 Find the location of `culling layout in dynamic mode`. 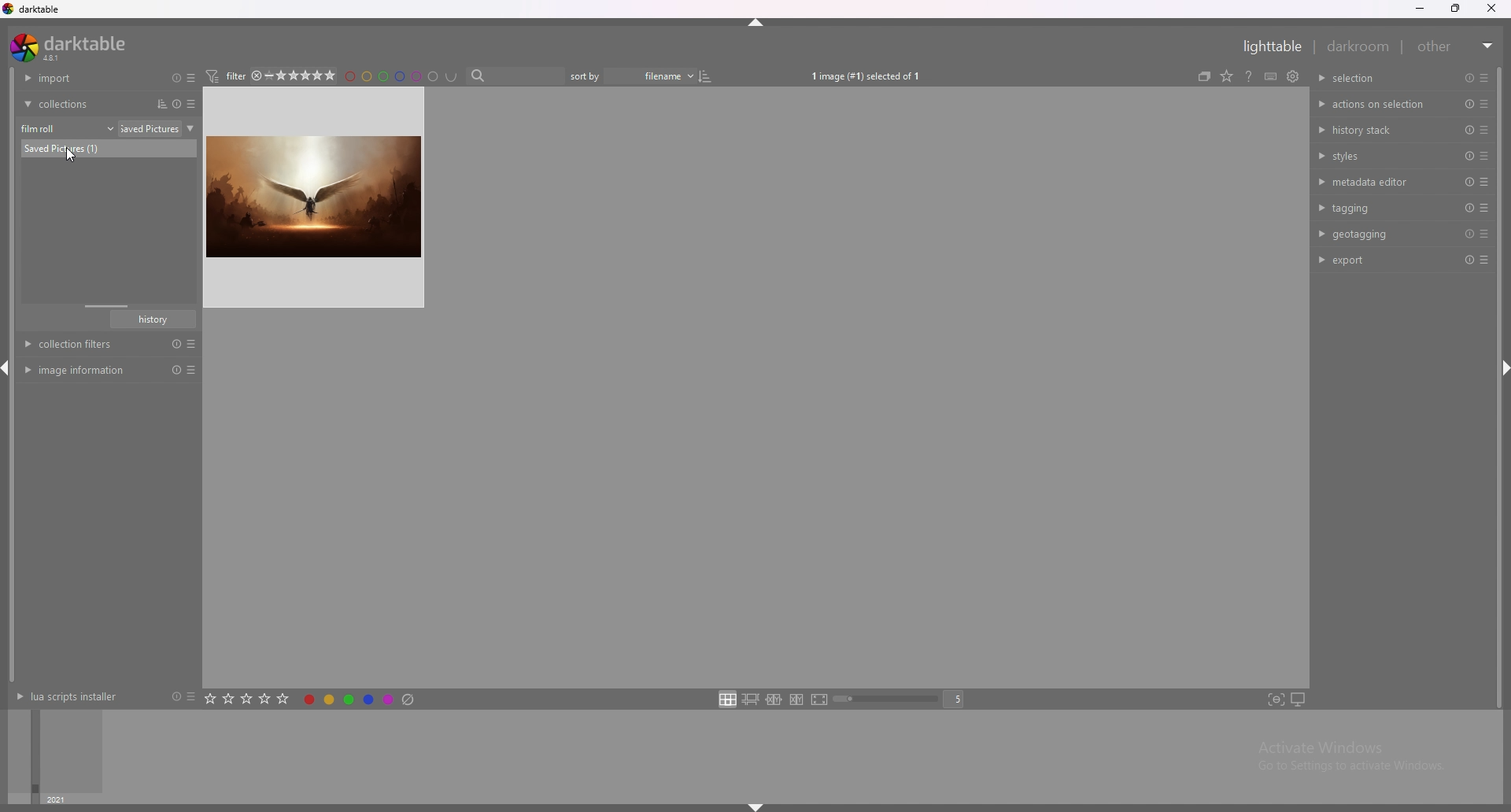

culling layout in dynamic mode is located at coordinates (796, 699).